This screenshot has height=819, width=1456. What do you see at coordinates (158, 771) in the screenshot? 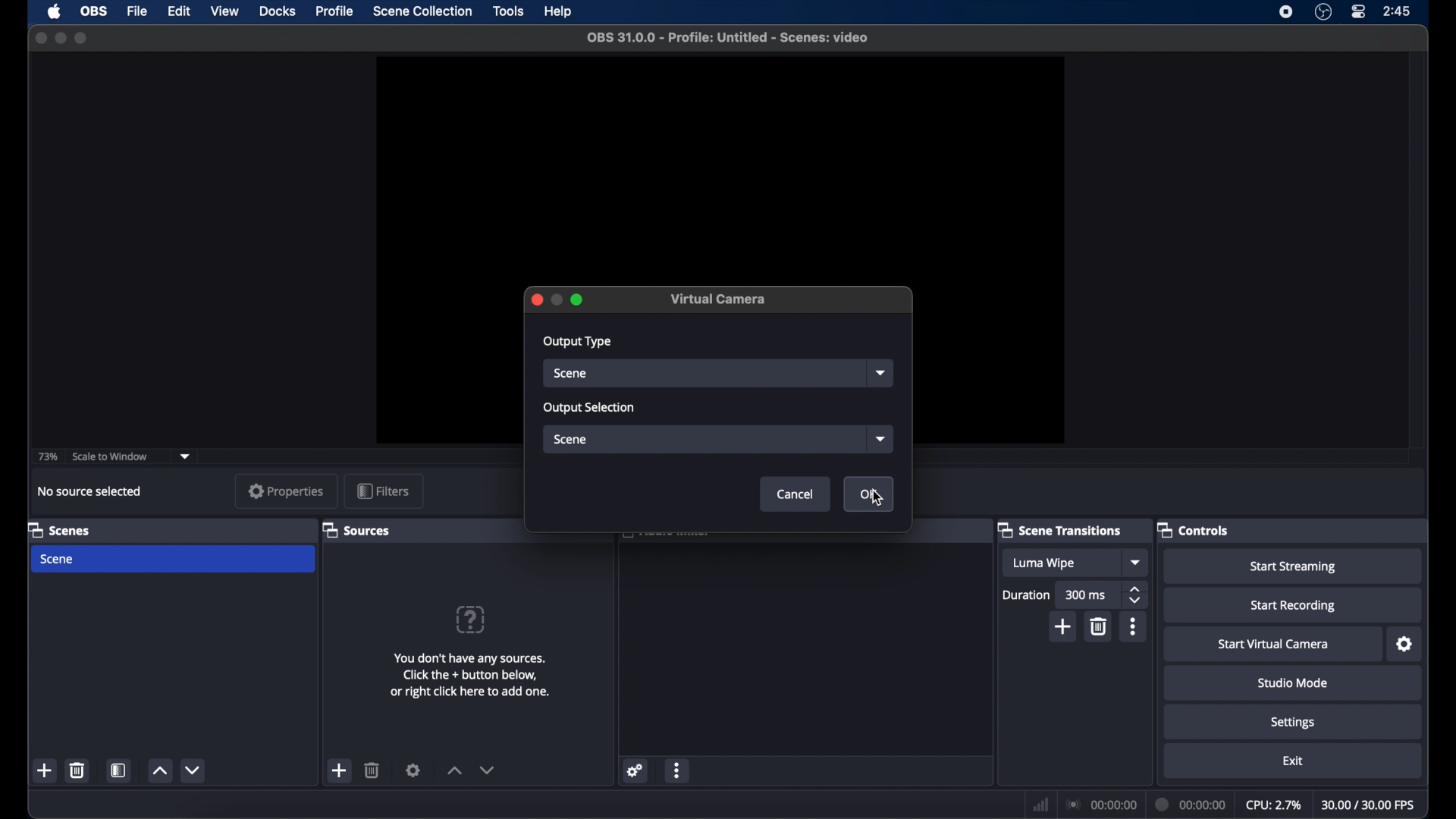
I see `increment` at bounding box center [158, 771].